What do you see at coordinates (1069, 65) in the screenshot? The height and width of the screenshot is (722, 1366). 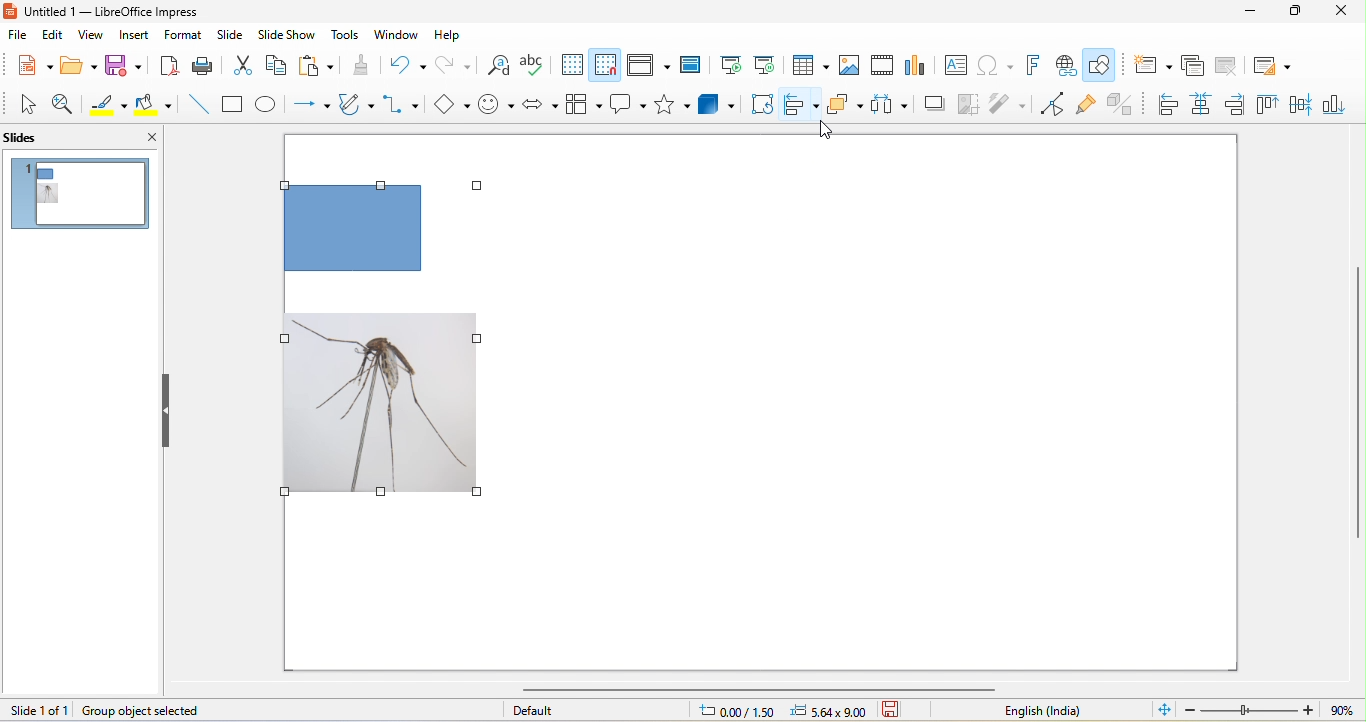 I see `hyperlink` at bounding box center [1069, 65].